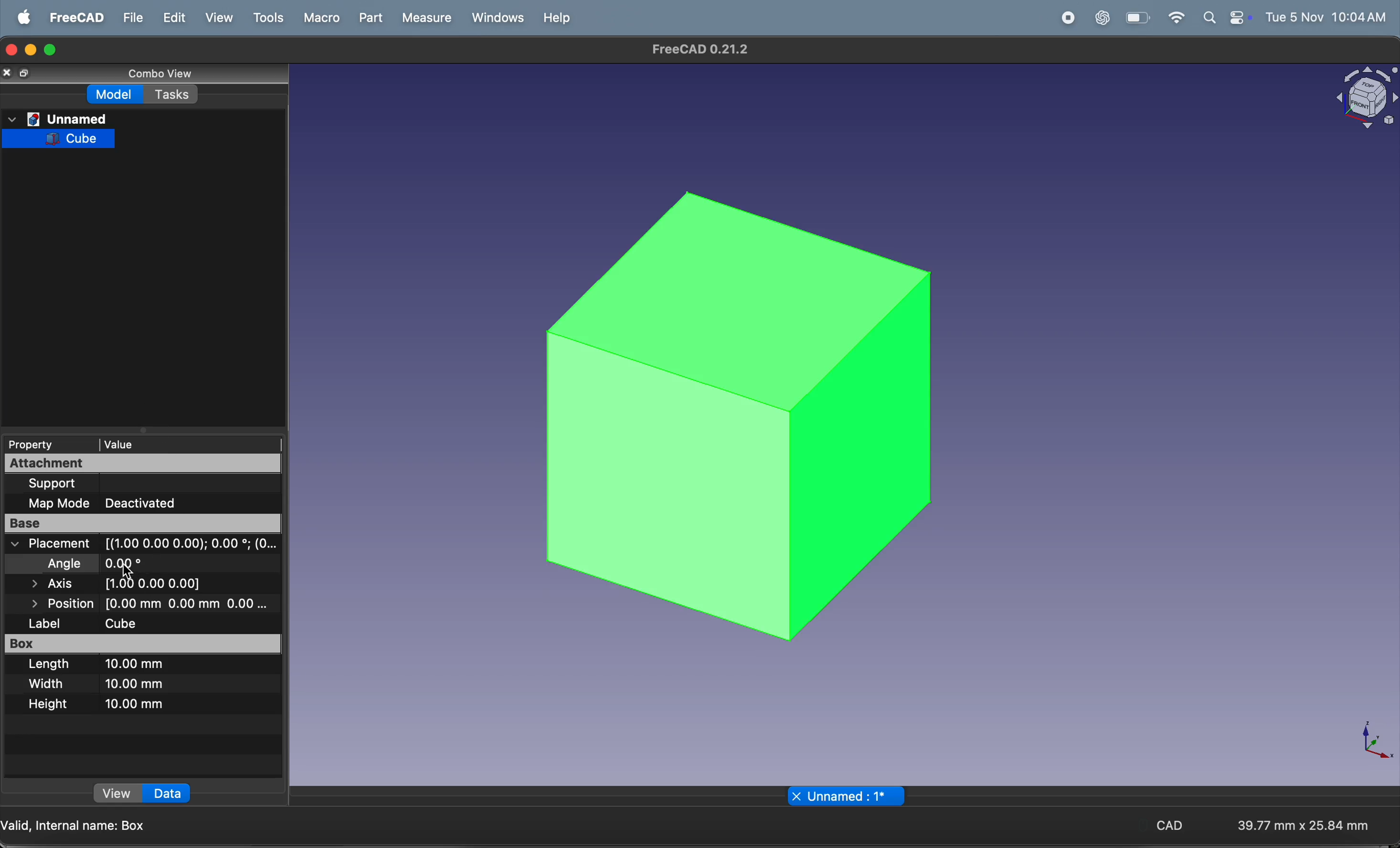 This screenshot has height=848, width=1400. Describe the element at coordinates (57, 119) in the screenshot. I see `Unnamed` at that location.